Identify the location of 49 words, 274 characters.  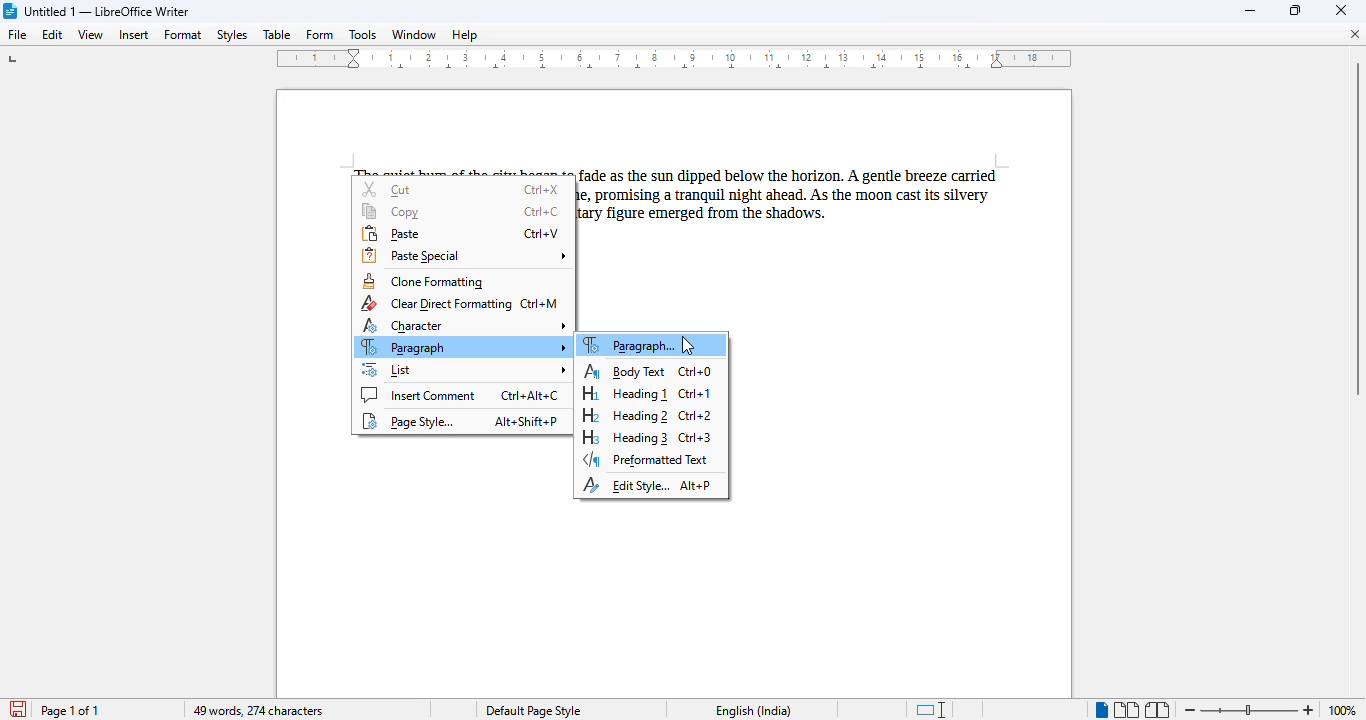
(257, 711).